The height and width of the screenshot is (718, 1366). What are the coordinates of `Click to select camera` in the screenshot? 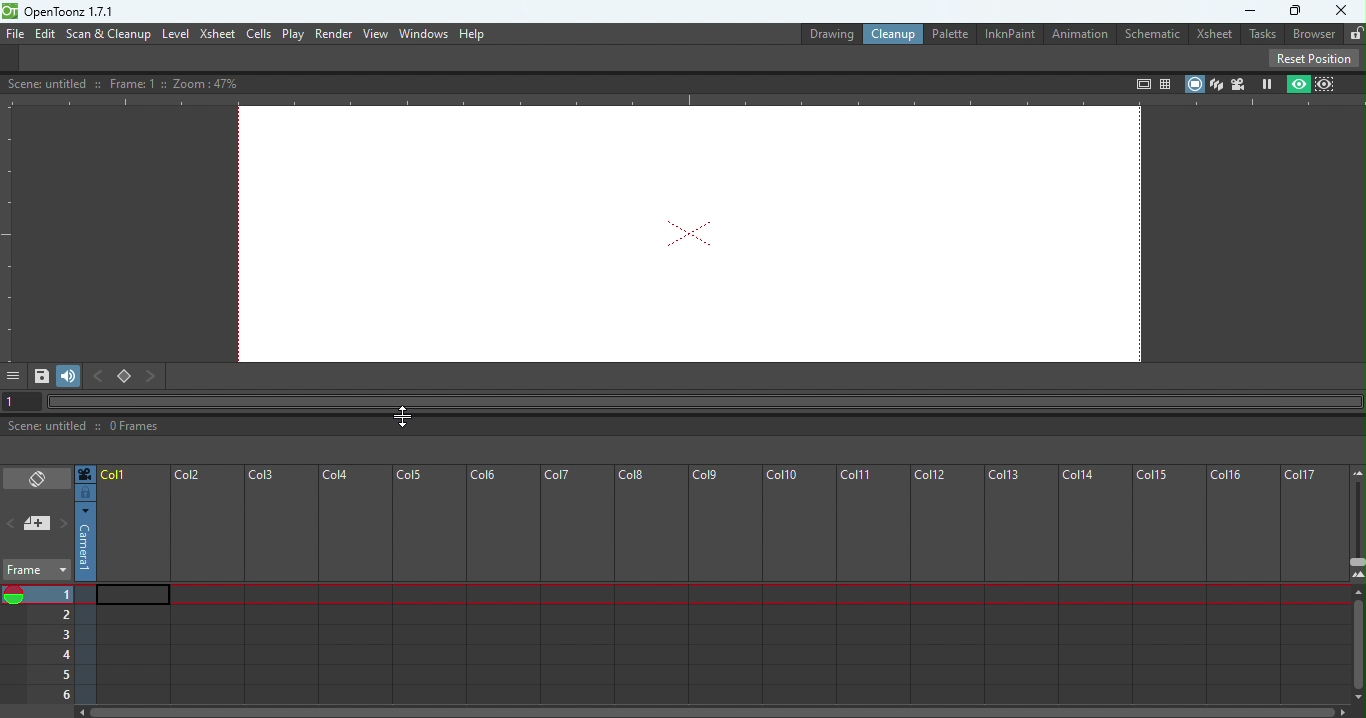 It's located at (87, 542).